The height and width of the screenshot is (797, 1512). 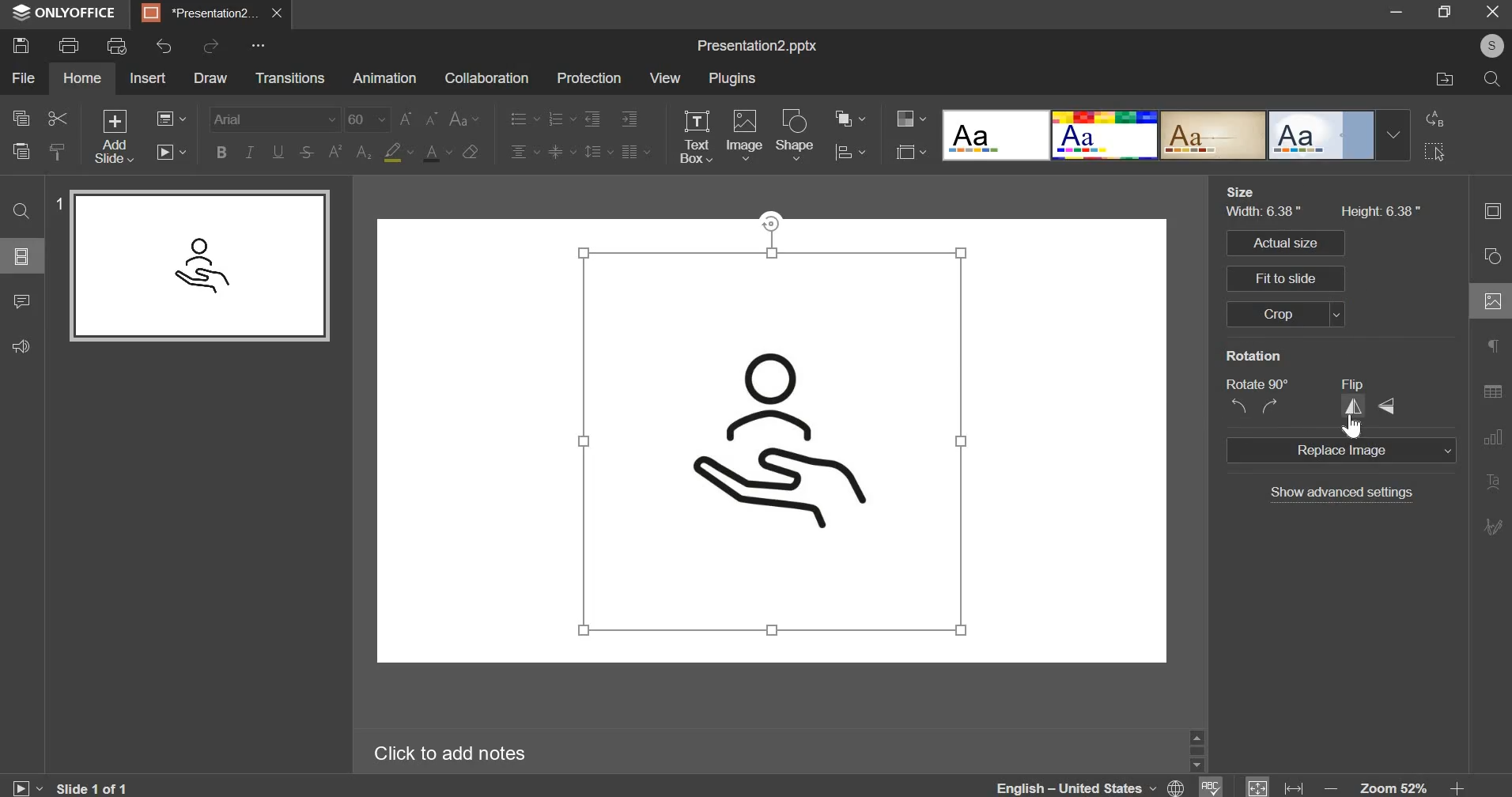 I want to click on slide, so click(x=770, y=440).